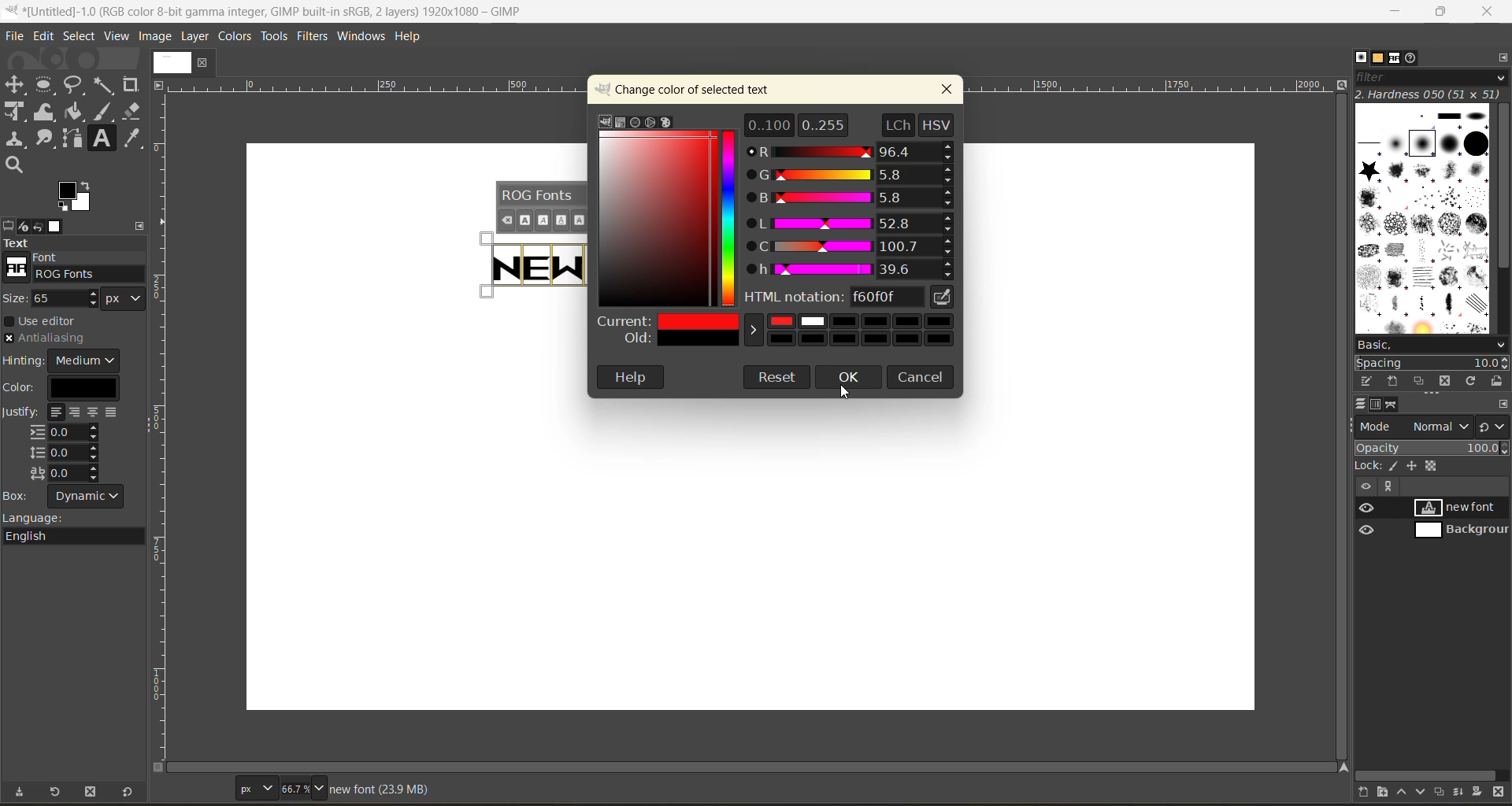  I want to click on cursor, so click(845, 395).